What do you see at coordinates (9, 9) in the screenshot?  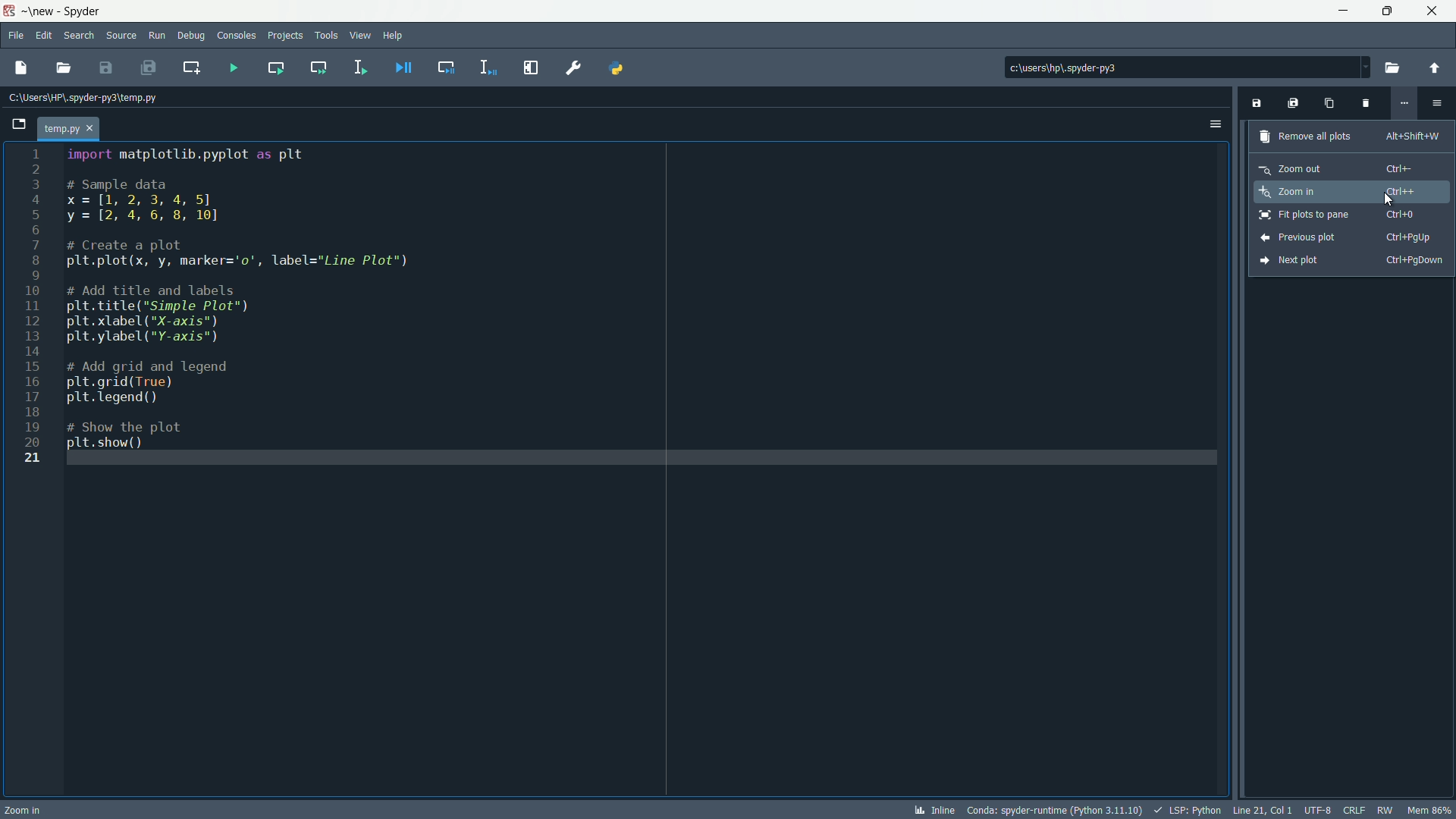 I see `app icon` at bounding box center [9, 9].